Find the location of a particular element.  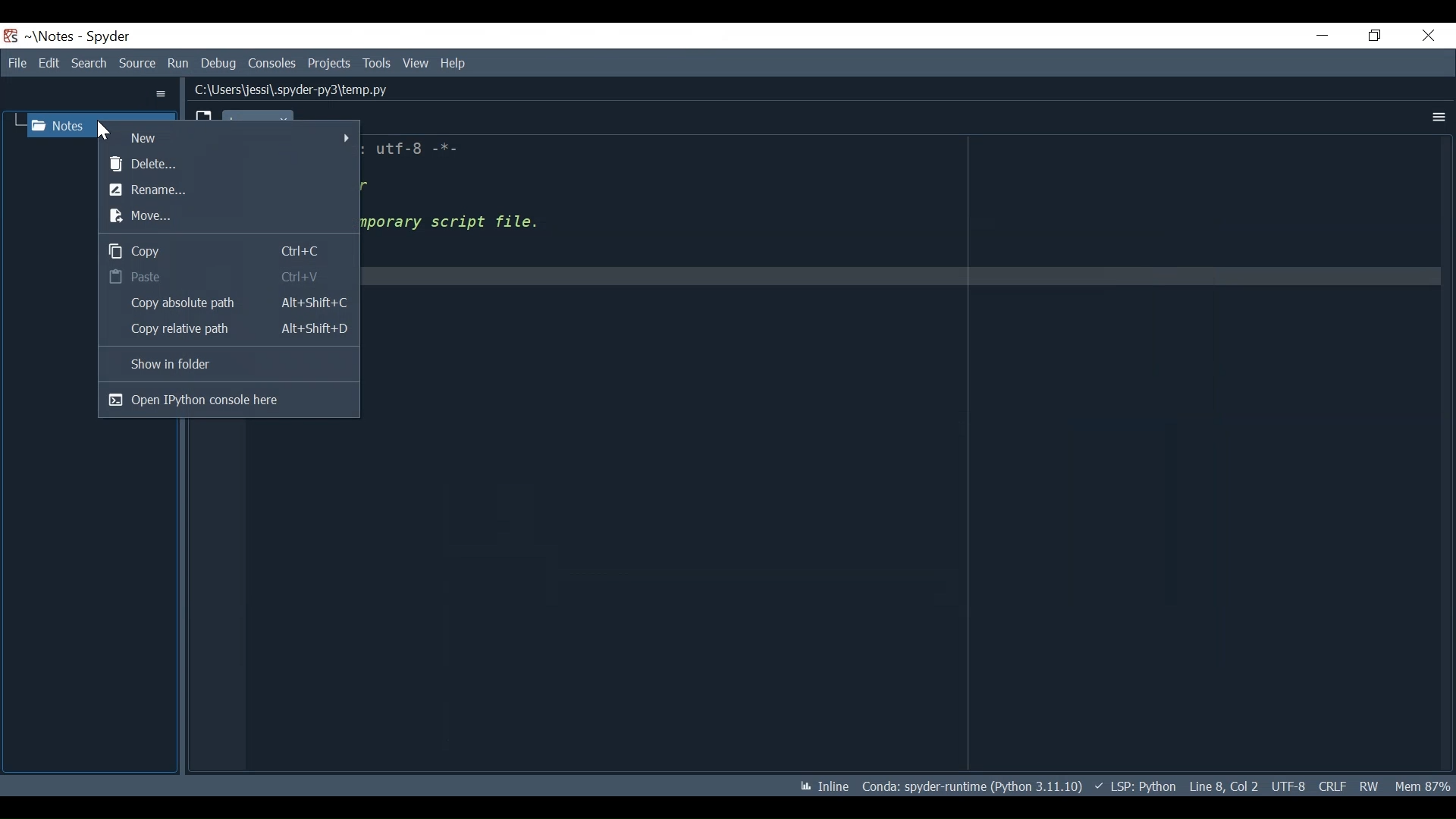

More Options is located at coordinates (1436, 117).